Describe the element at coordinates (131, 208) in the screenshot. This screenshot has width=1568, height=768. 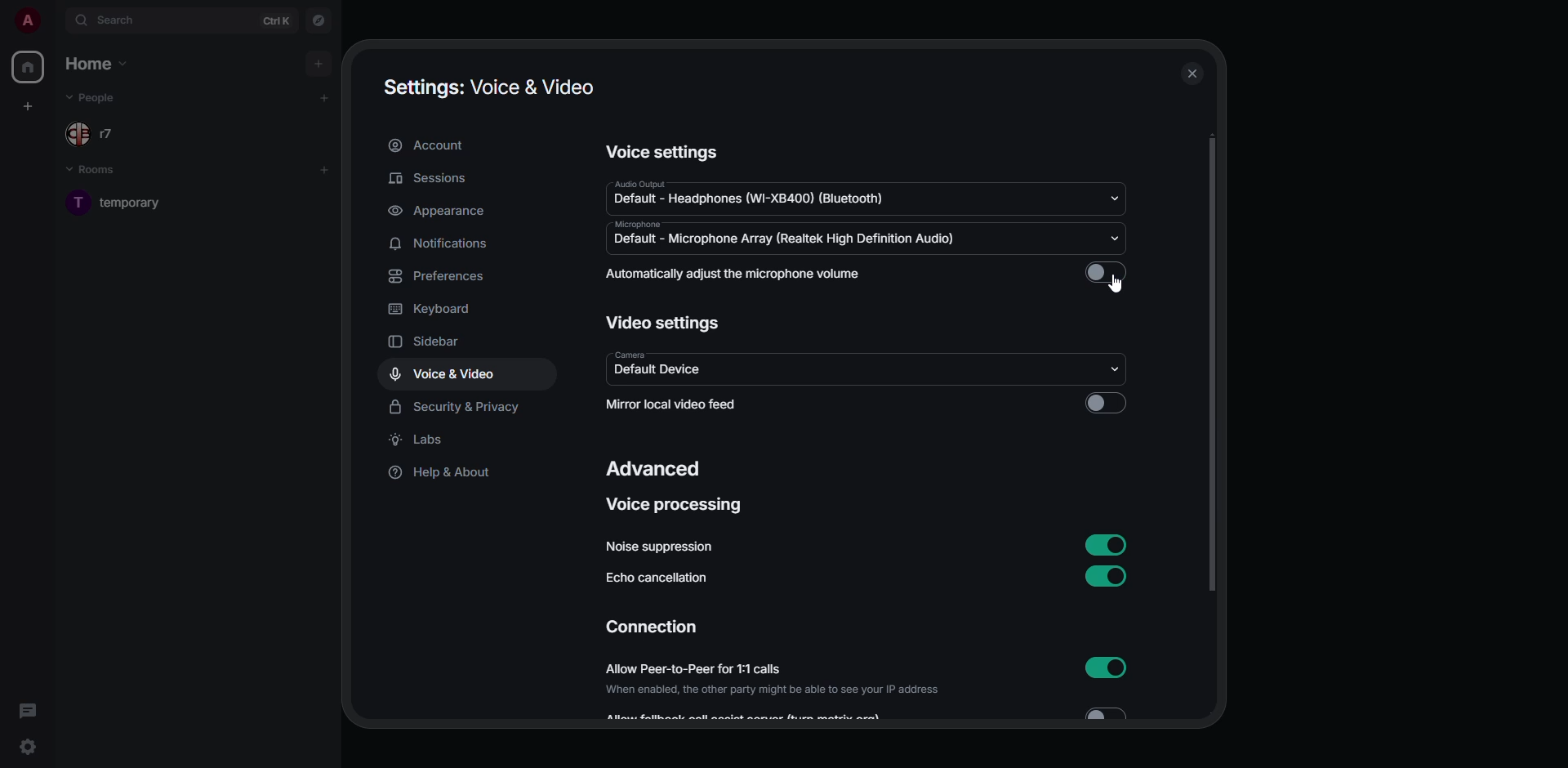
I see `T temporary` at that location.